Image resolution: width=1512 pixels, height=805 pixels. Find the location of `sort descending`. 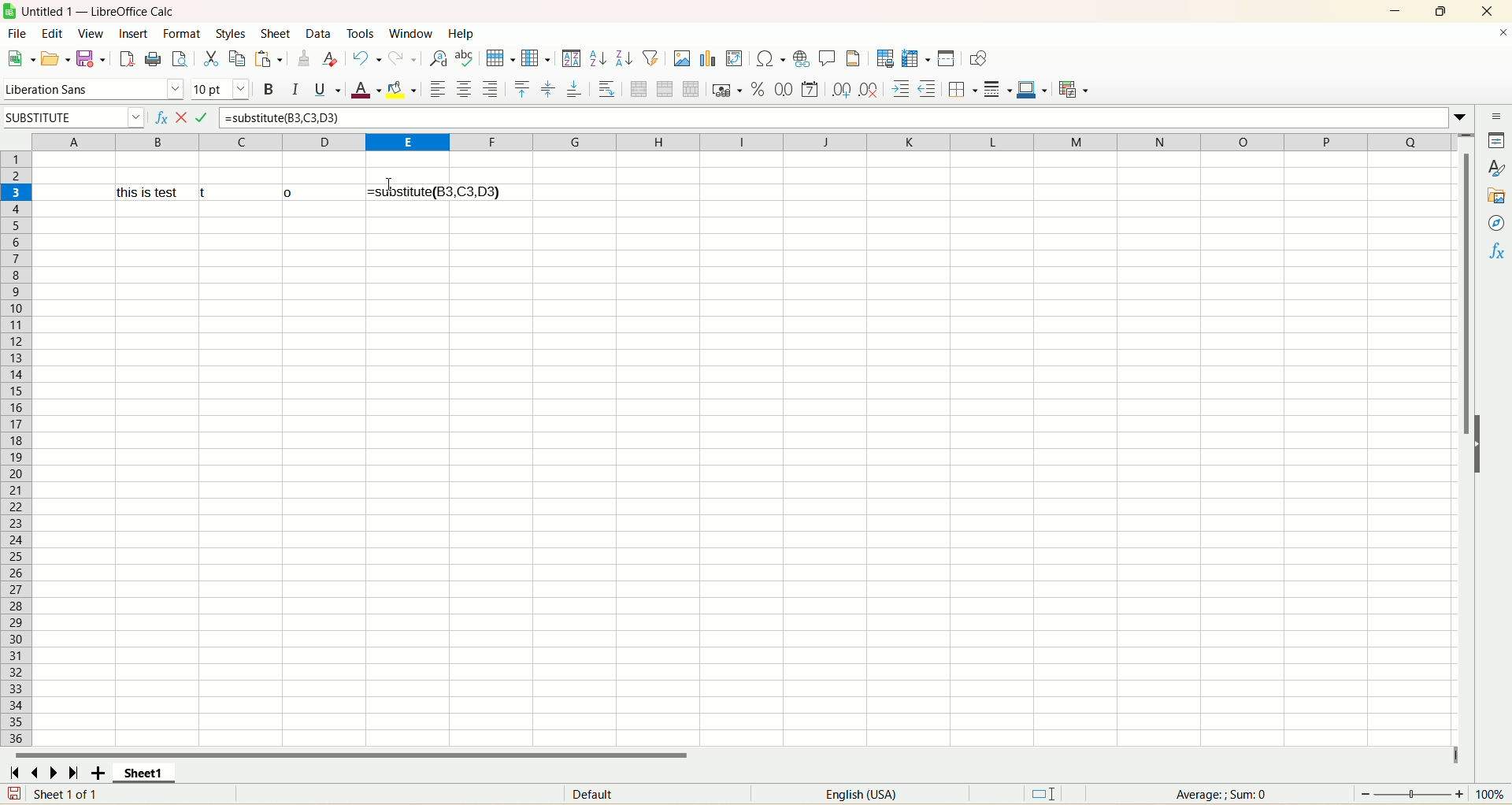

sort descending is located at coordinates (623, 60).